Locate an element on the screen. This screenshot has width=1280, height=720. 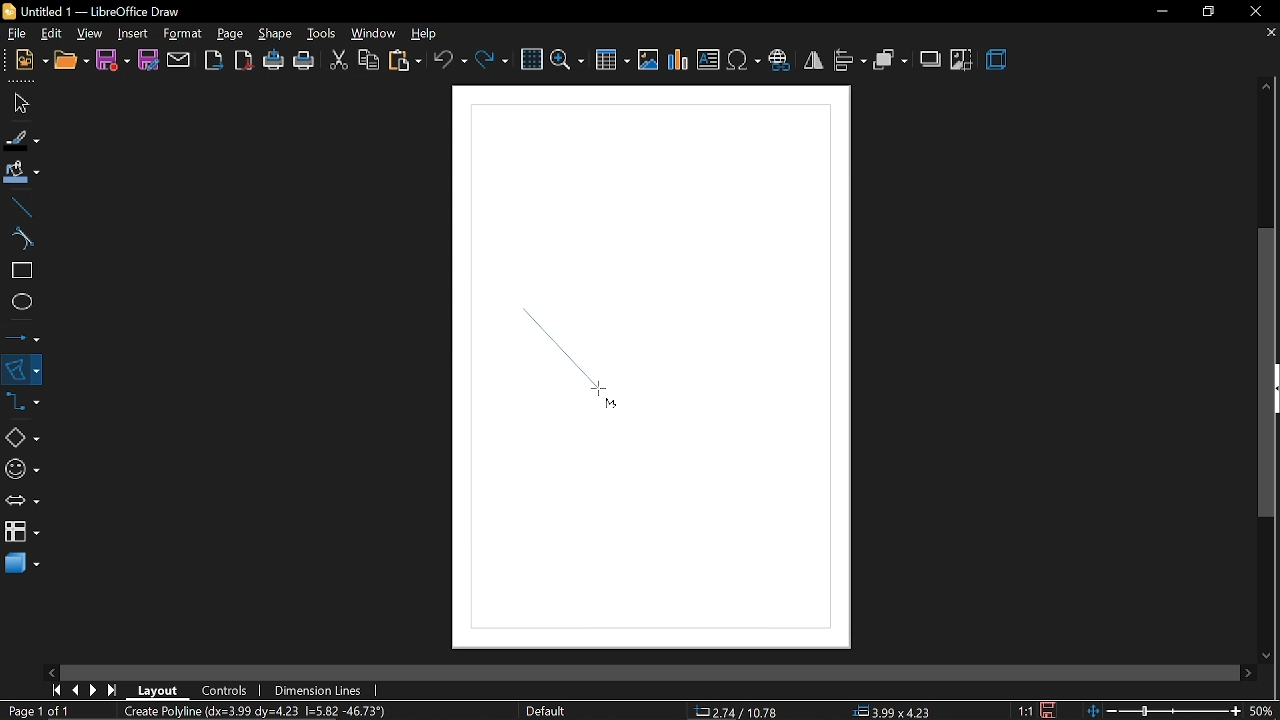
insert image is located at coordinates (650, 60).